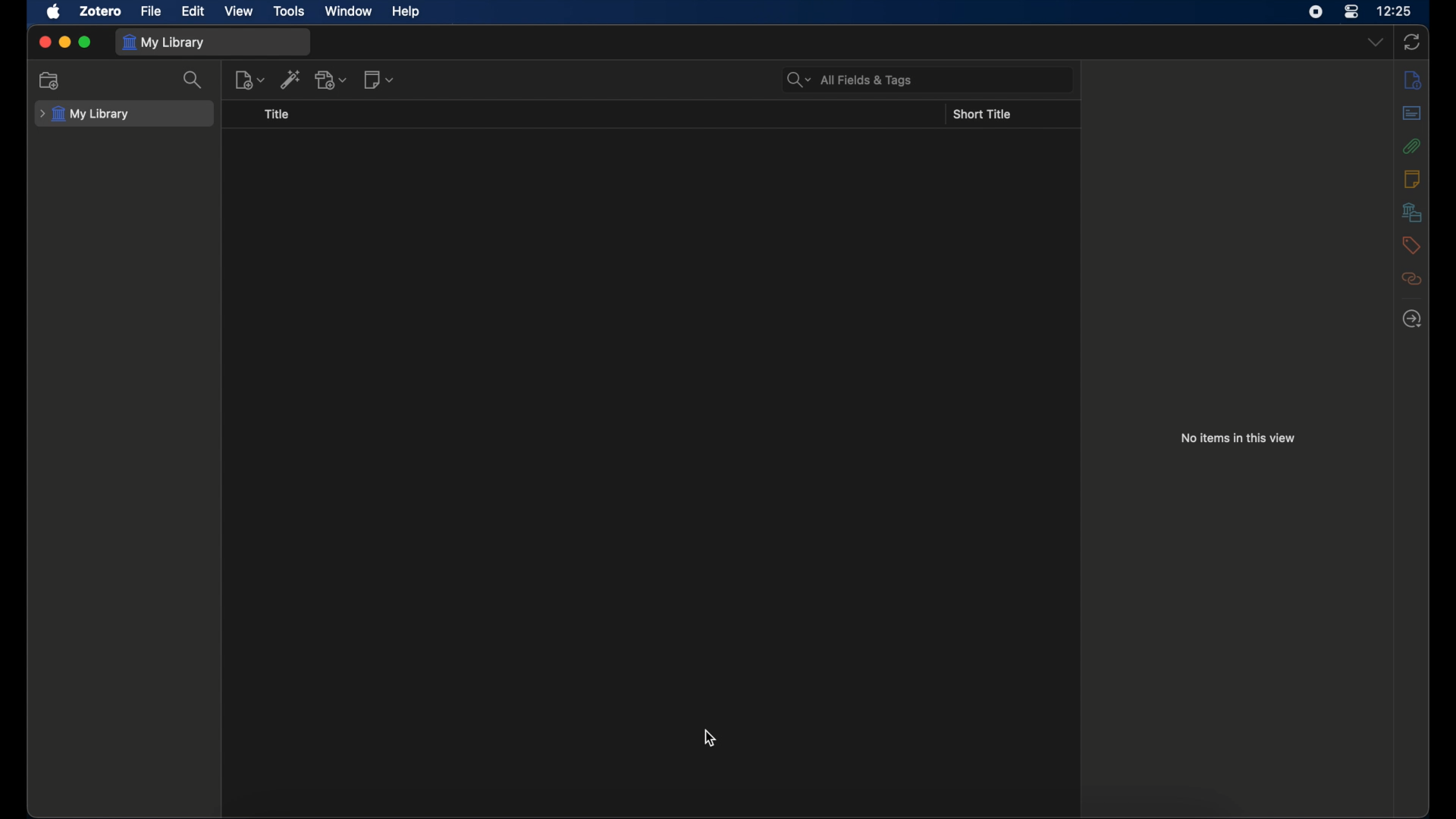  Describe the element at coordinates (101, 11) in the screenshot. I see `zotero` at that location.